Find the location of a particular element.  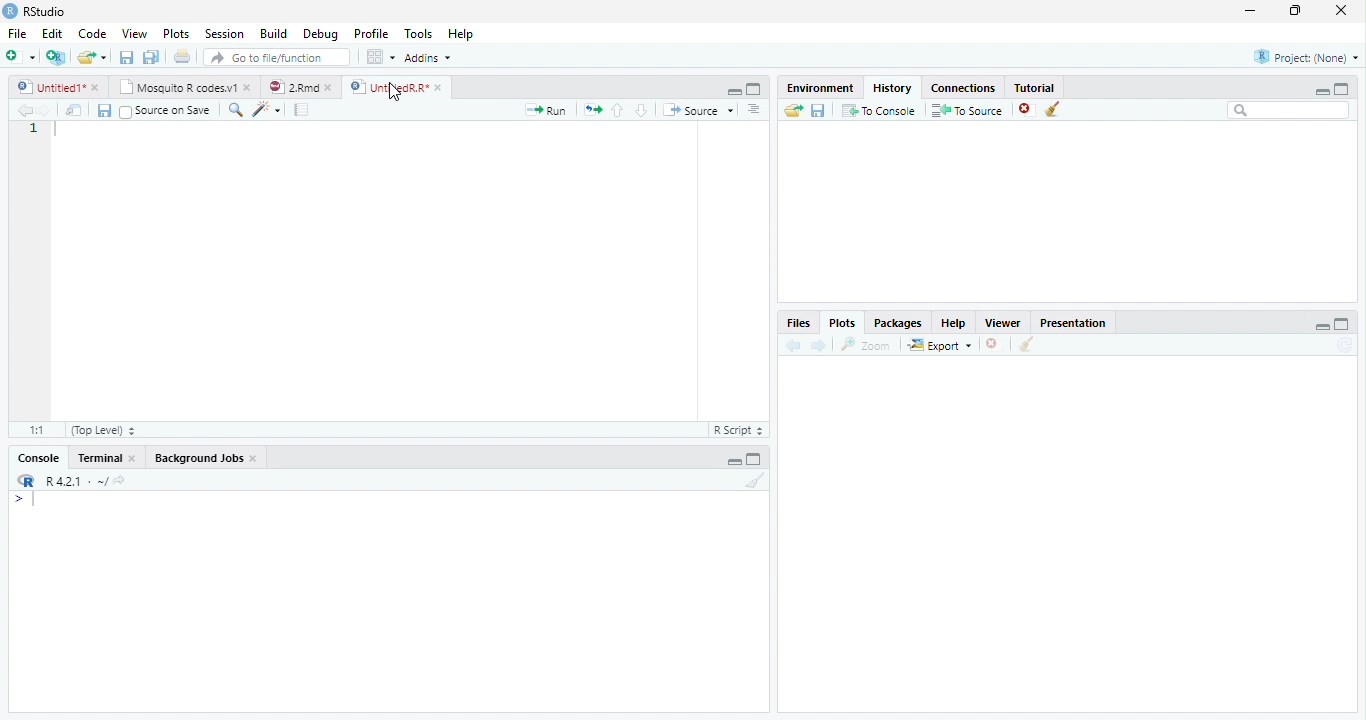

Help is located at coordinates (954, 322).